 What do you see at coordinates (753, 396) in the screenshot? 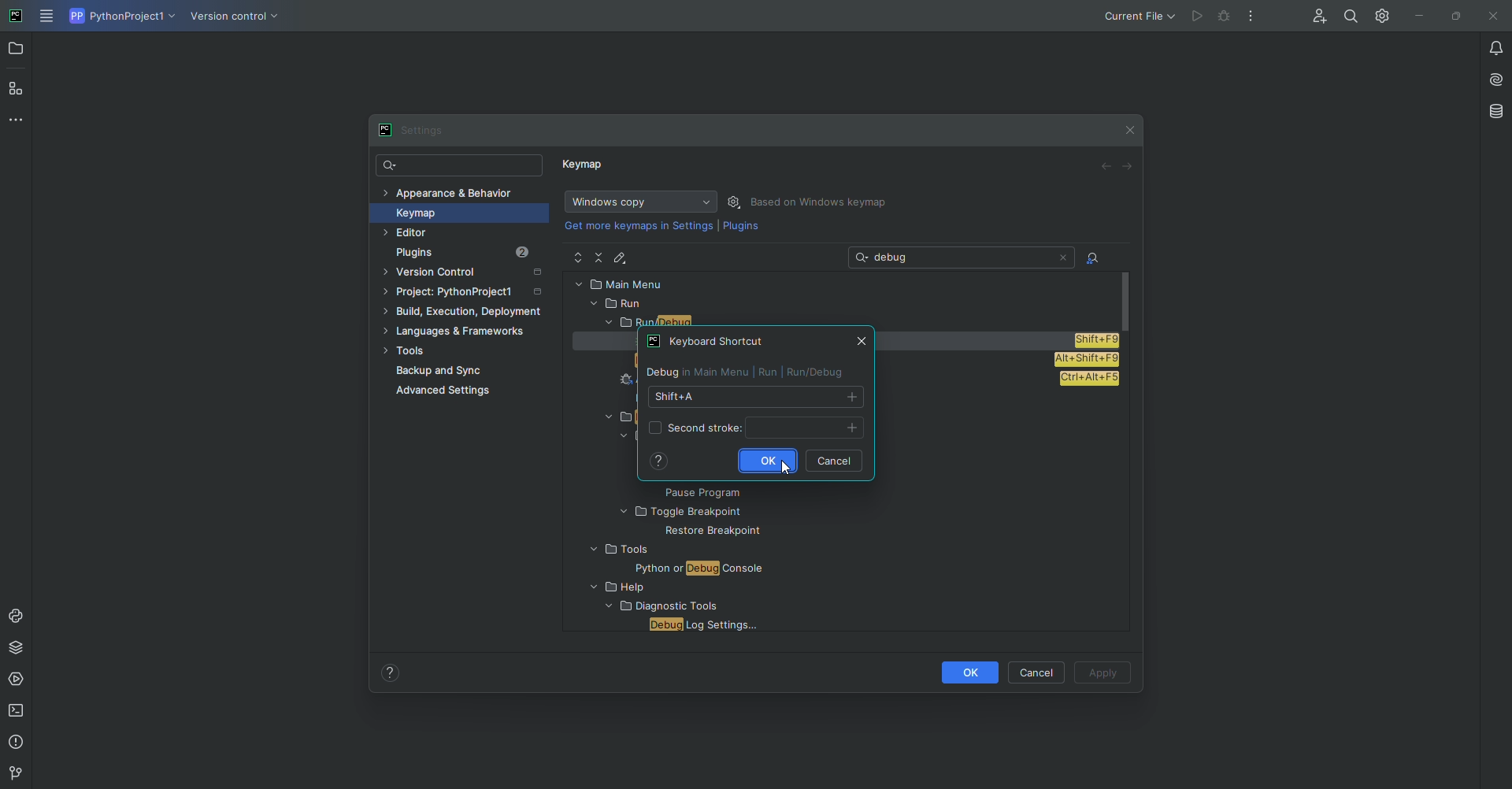
I see `shortcut` at bounding box center [753, 396].